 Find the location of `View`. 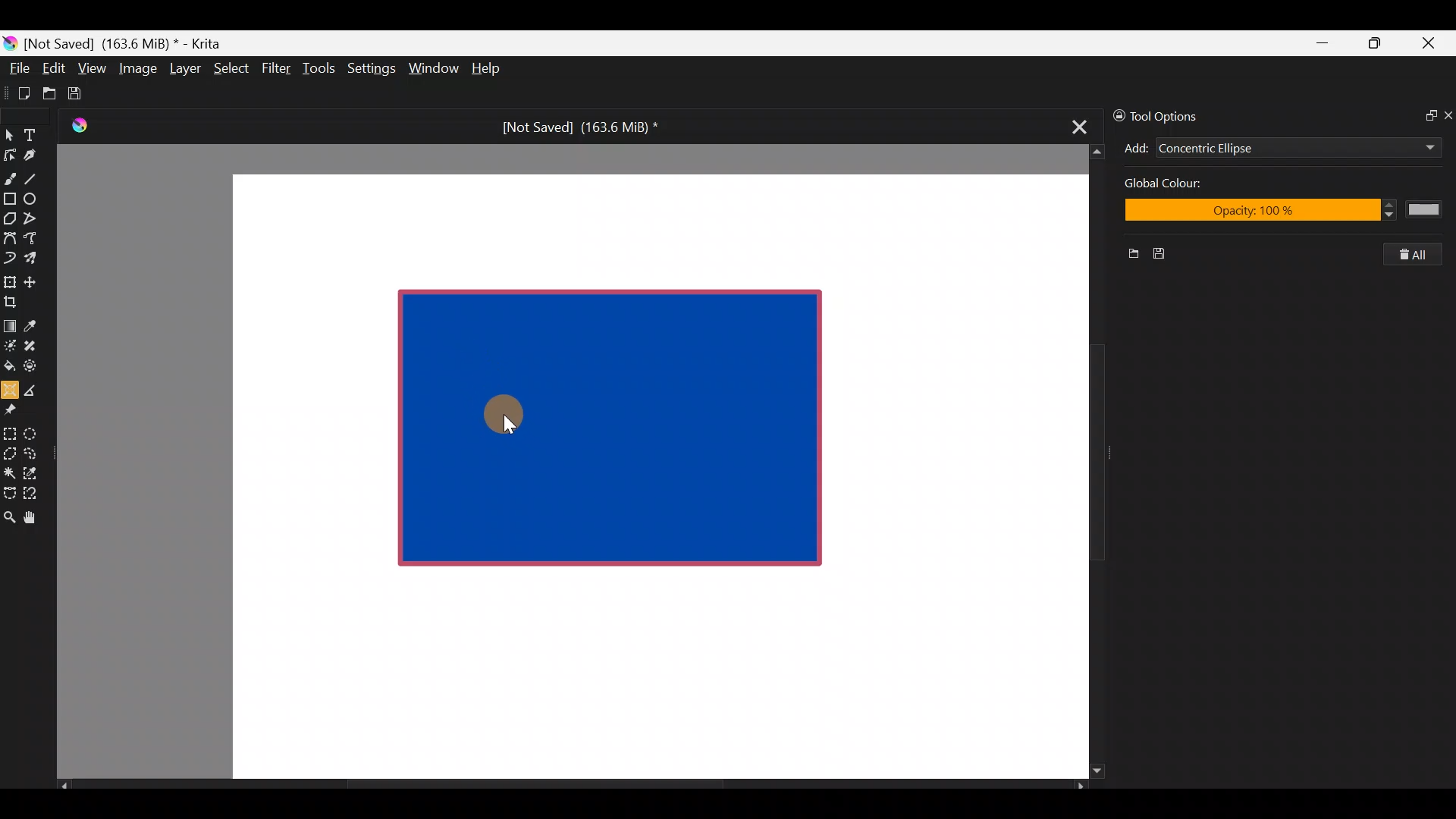

View is located at coordinates (93, 68).